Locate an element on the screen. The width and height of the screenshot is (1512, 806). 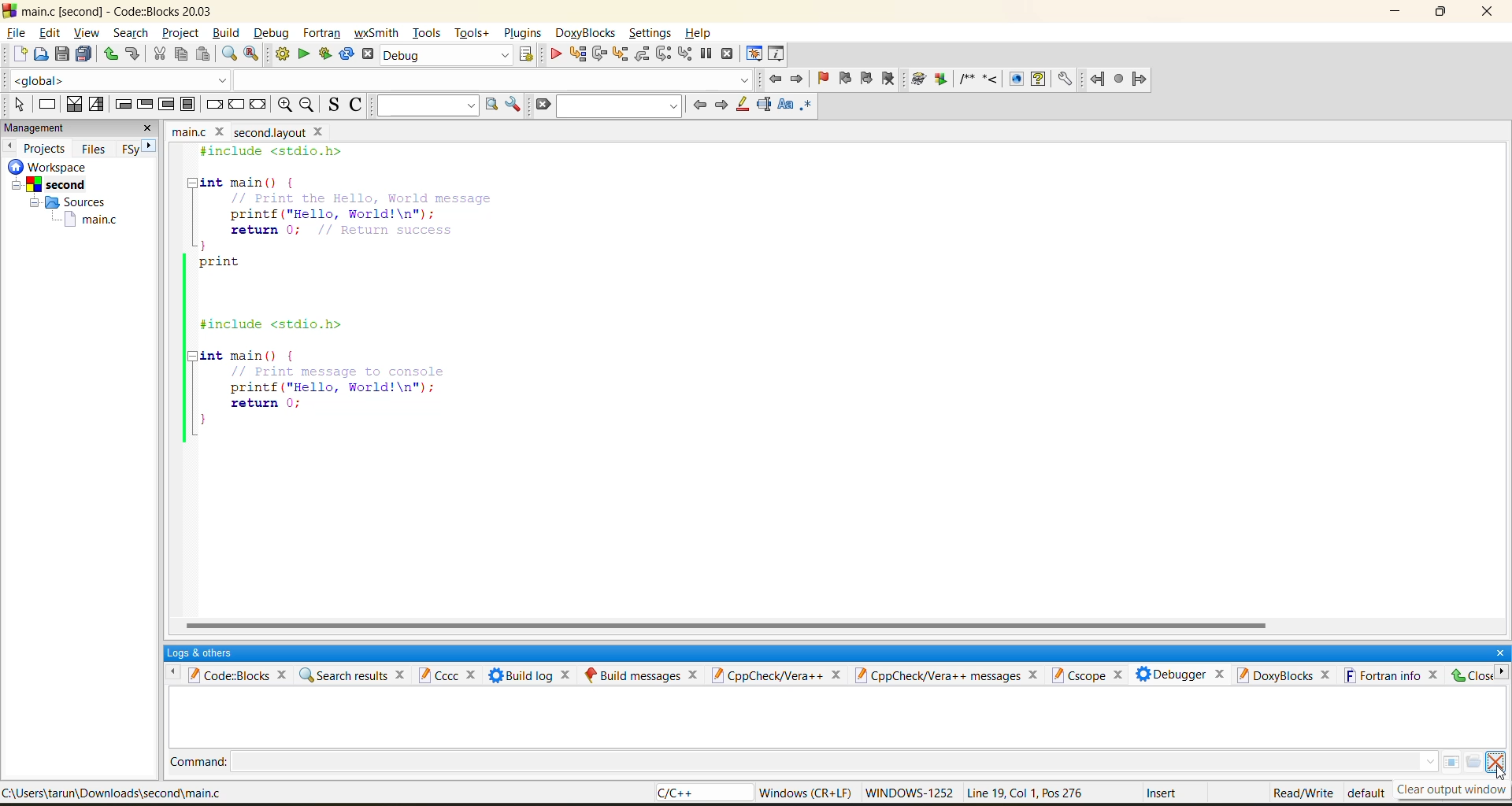
run to cursor is located at coordinates (576, 54).